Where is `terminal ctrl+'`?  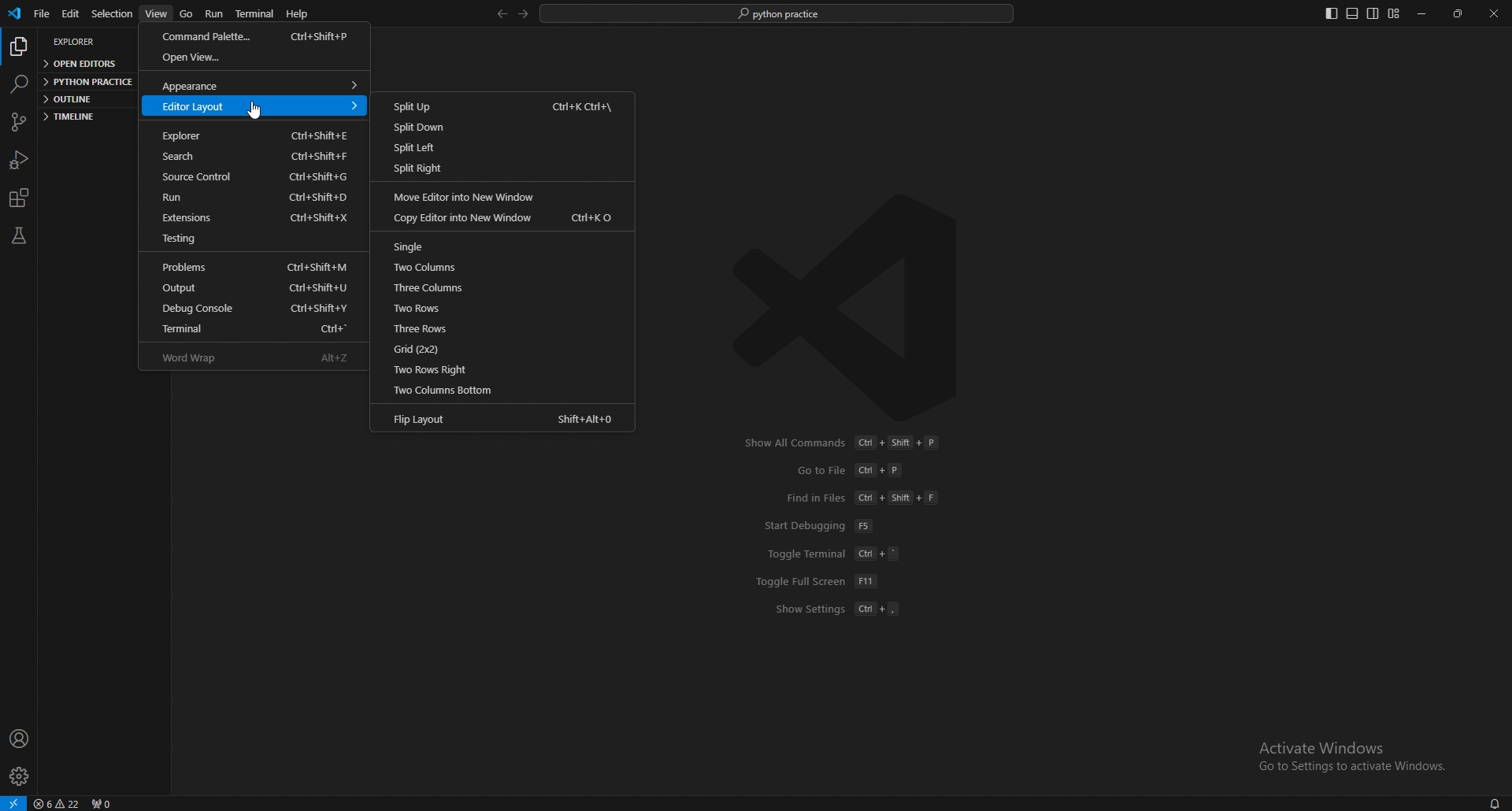
terminal ctrl+' is located at coordinates (252, 328).